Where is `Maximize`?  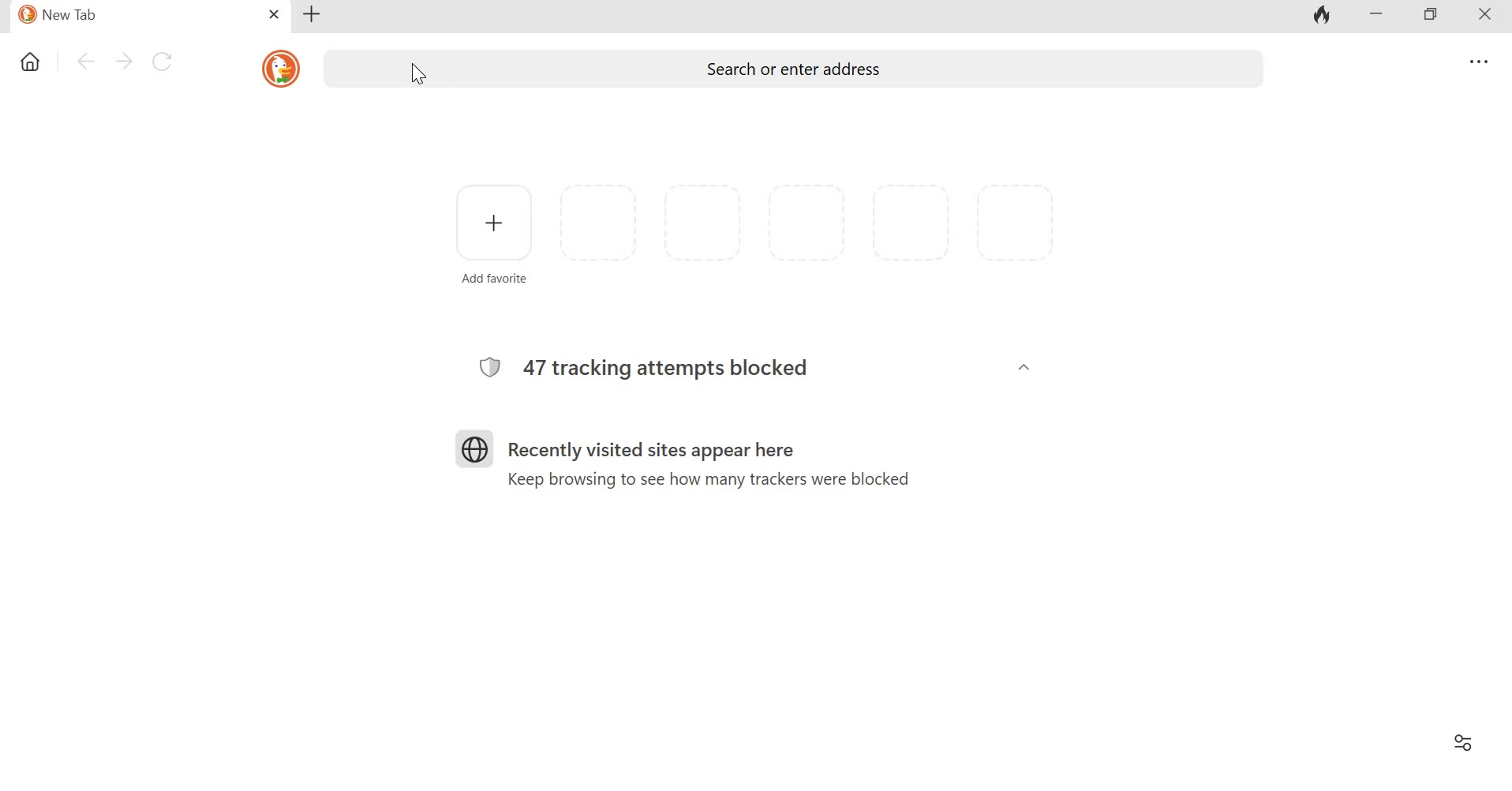
Maximize is located at coordinates (1432, 14).